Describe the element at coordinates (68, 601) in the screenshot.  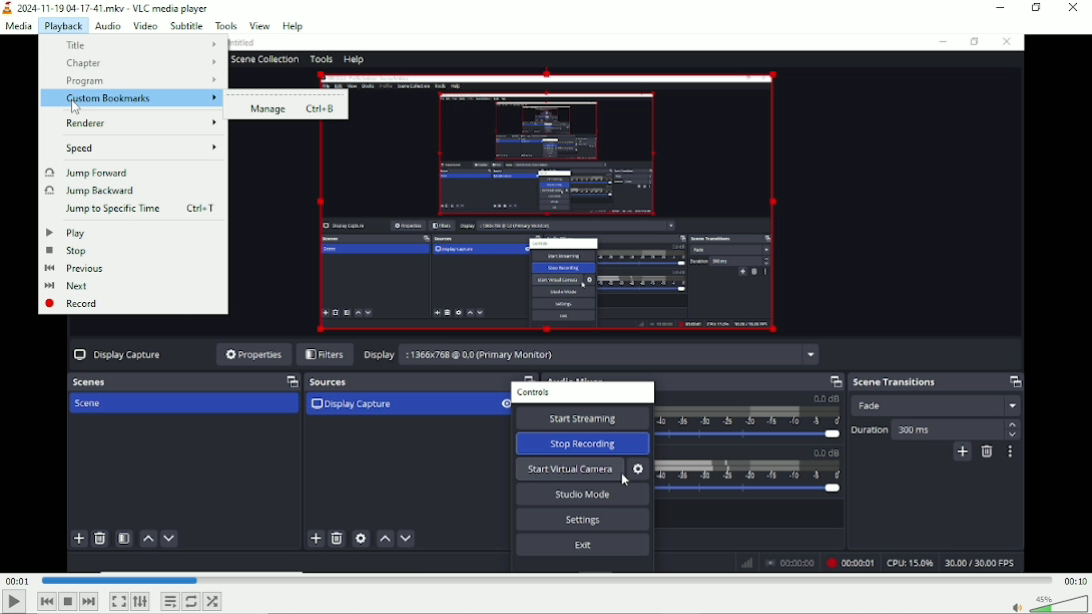
I see `Stop playback` at that location.